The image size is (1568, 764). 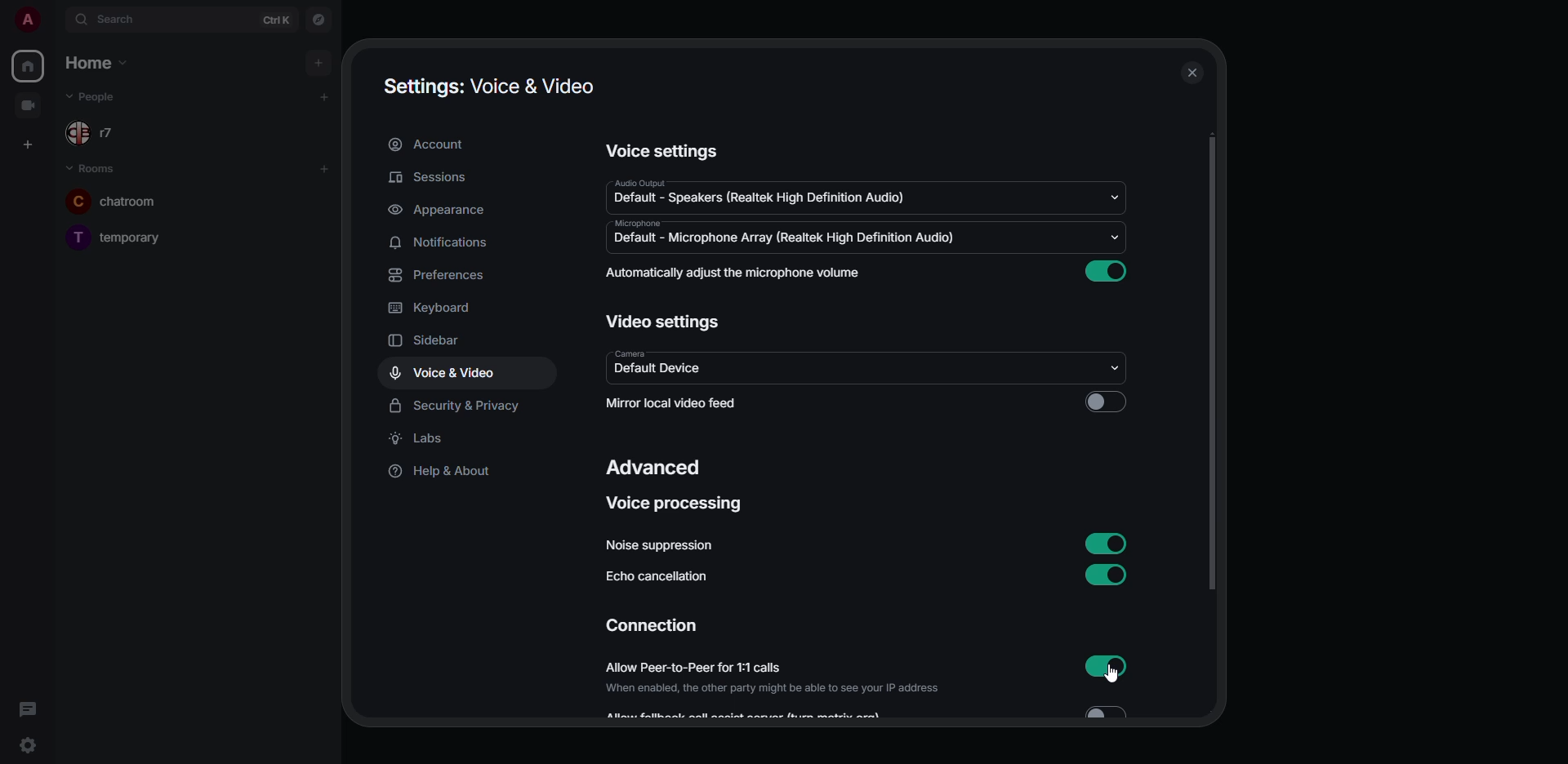 I want to click on security & privacy, so click(x=467, y=405).